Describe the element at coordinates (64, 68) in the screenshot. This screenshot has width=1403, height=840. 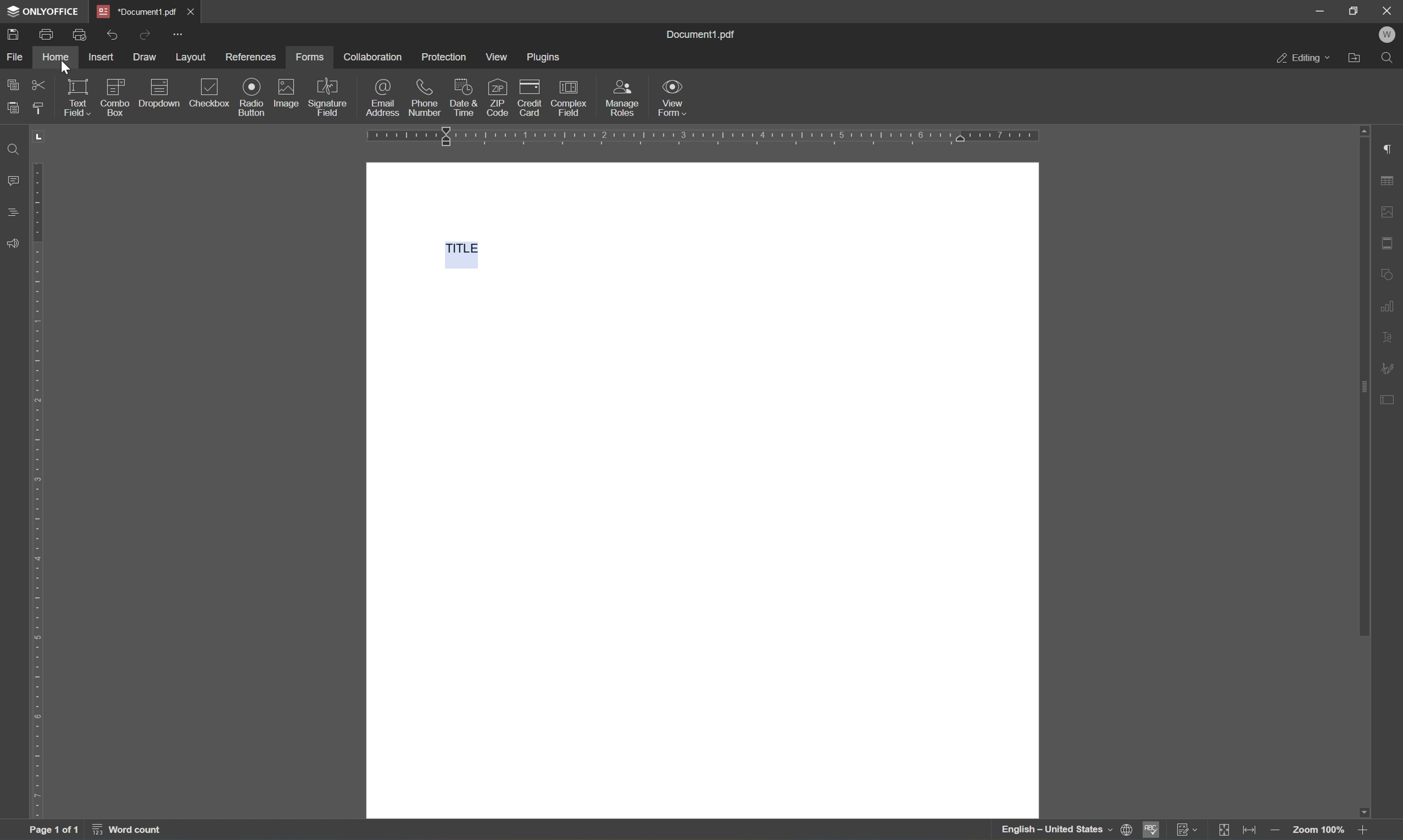
I see `cursor` at that location.